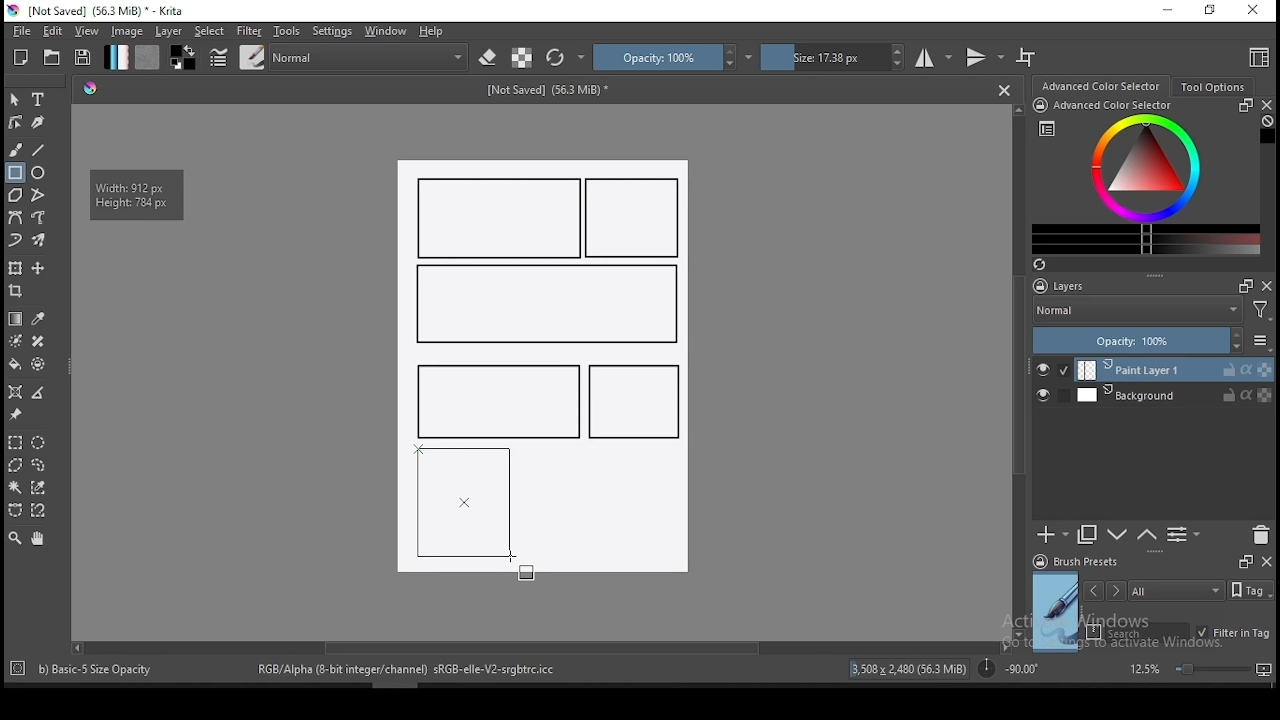 Image resolution: width=1280 pixels, height=720 pixels. Describe the element at coordinates (15, 267) in the screenshot. I see `transform a layer or a selection` at that location.